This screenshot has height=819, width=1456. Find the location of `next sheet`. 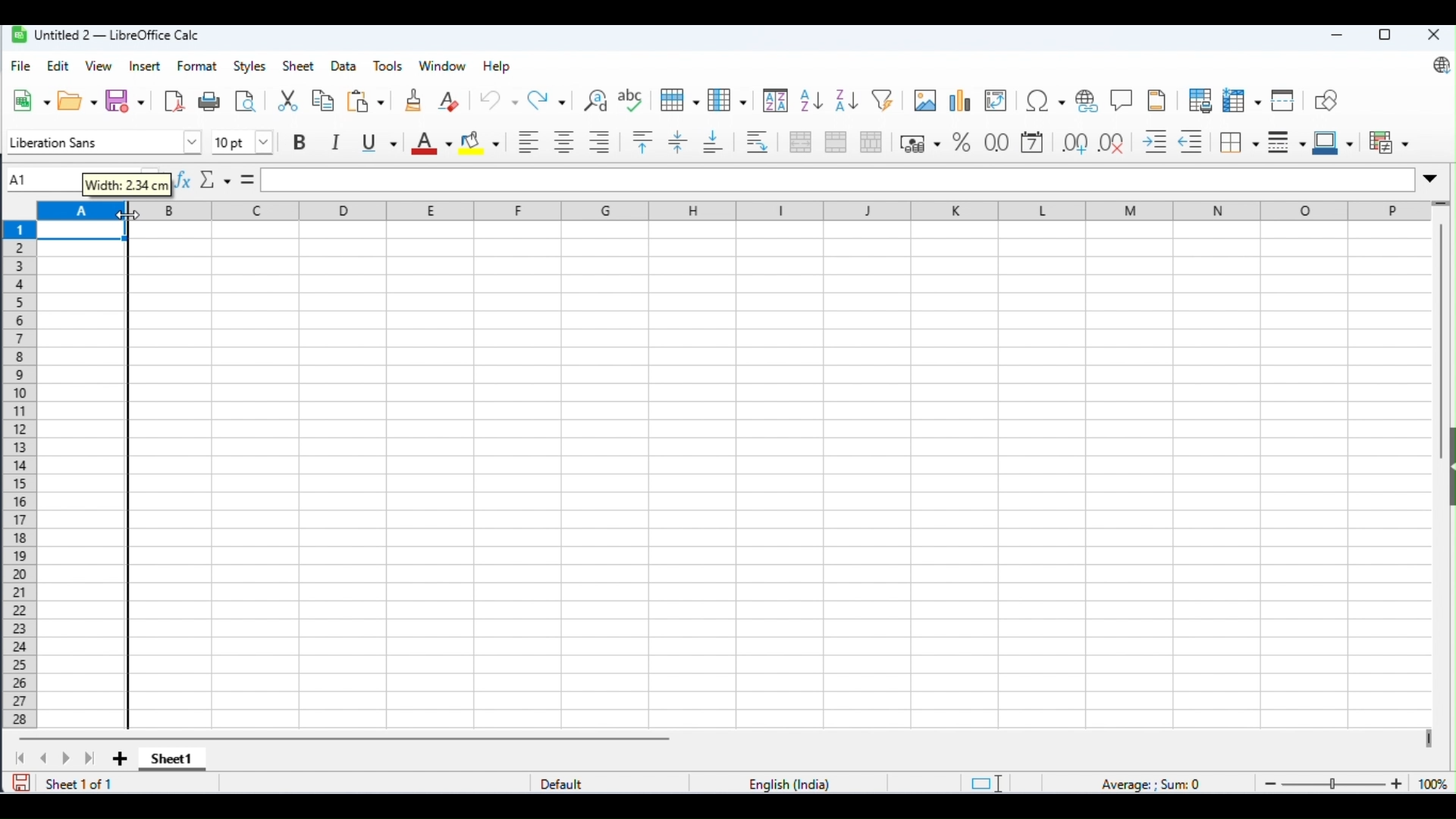

next sheet is located at coordinates (65, 758).